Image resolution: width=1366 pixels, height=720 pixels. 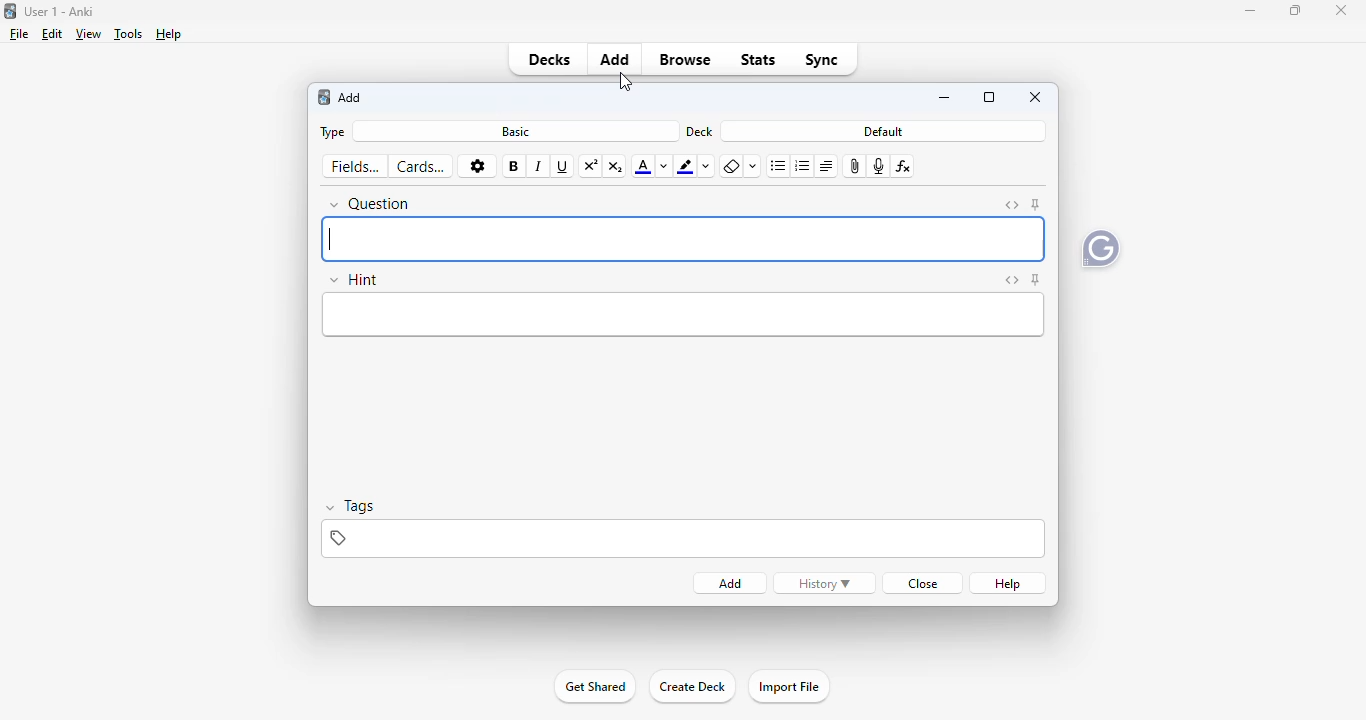 What do you see at coordinates (615, 59) in the screenshot?
I see `add` at bounding box center [615, 59].